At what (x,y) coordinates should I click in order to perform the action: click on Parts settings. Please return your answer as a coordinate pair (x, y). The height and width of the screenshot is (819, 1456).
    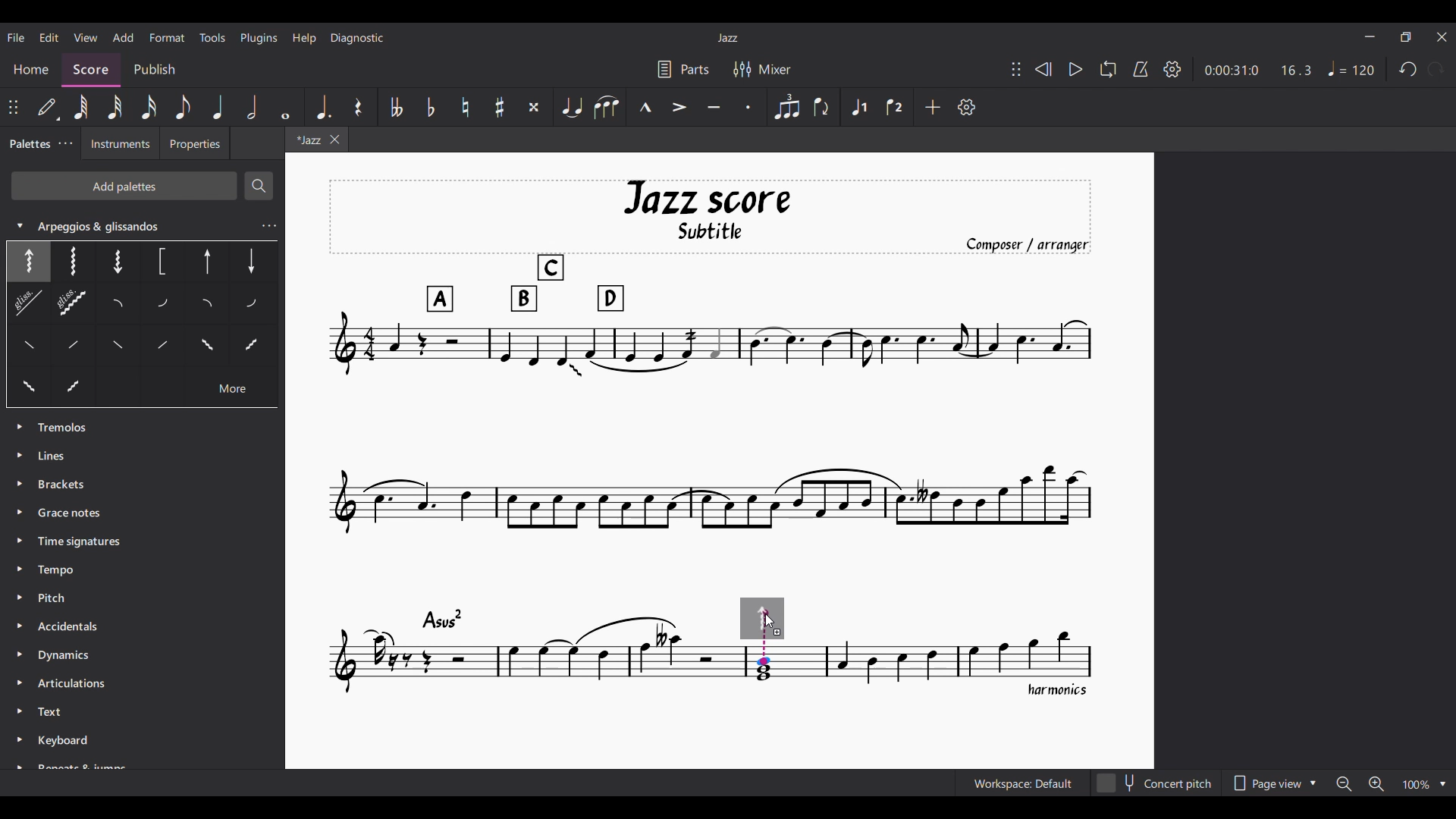
    Looking at the image, I should click on (684, 69).